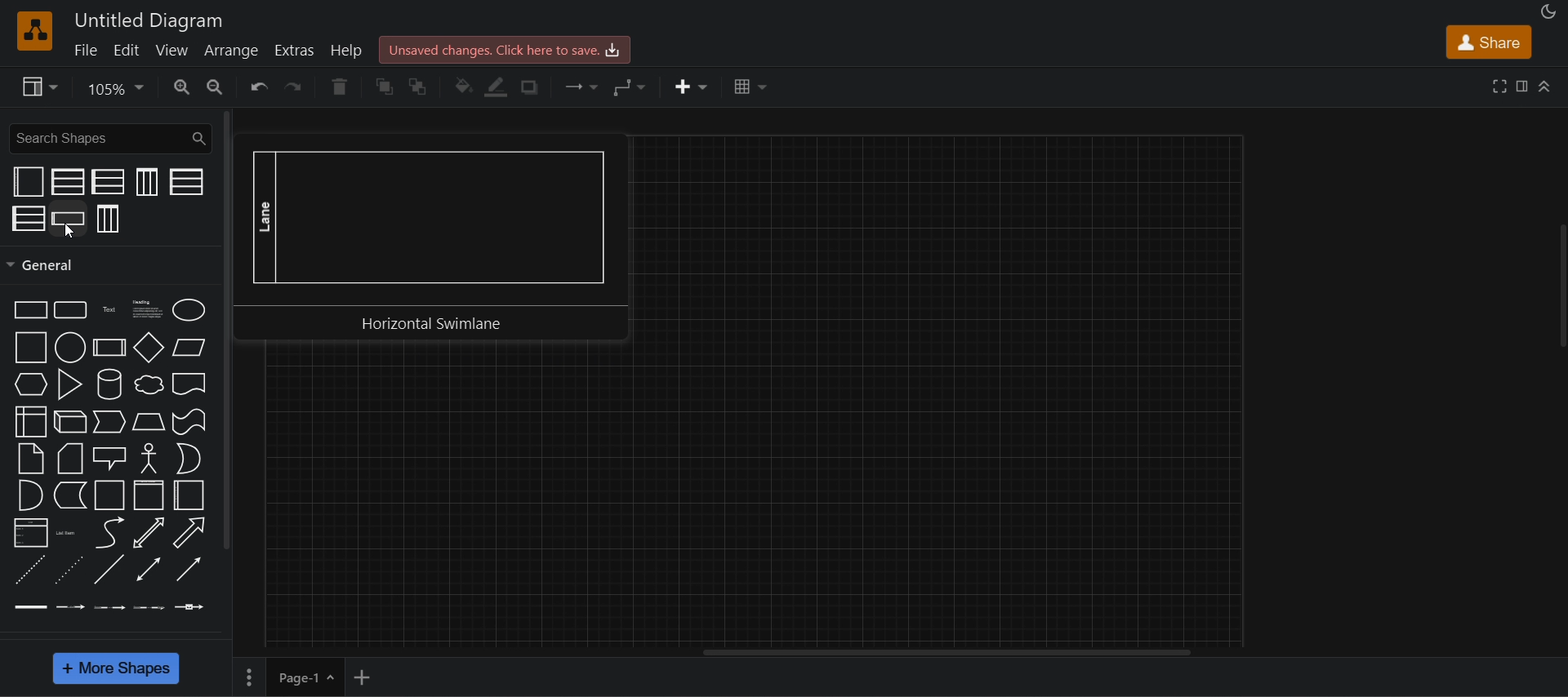 Image resolution: width=1568 pixels, height=697 pixels. Describe the element at coordinates (420, 87) in the screenshot. I see `to back` at that location.